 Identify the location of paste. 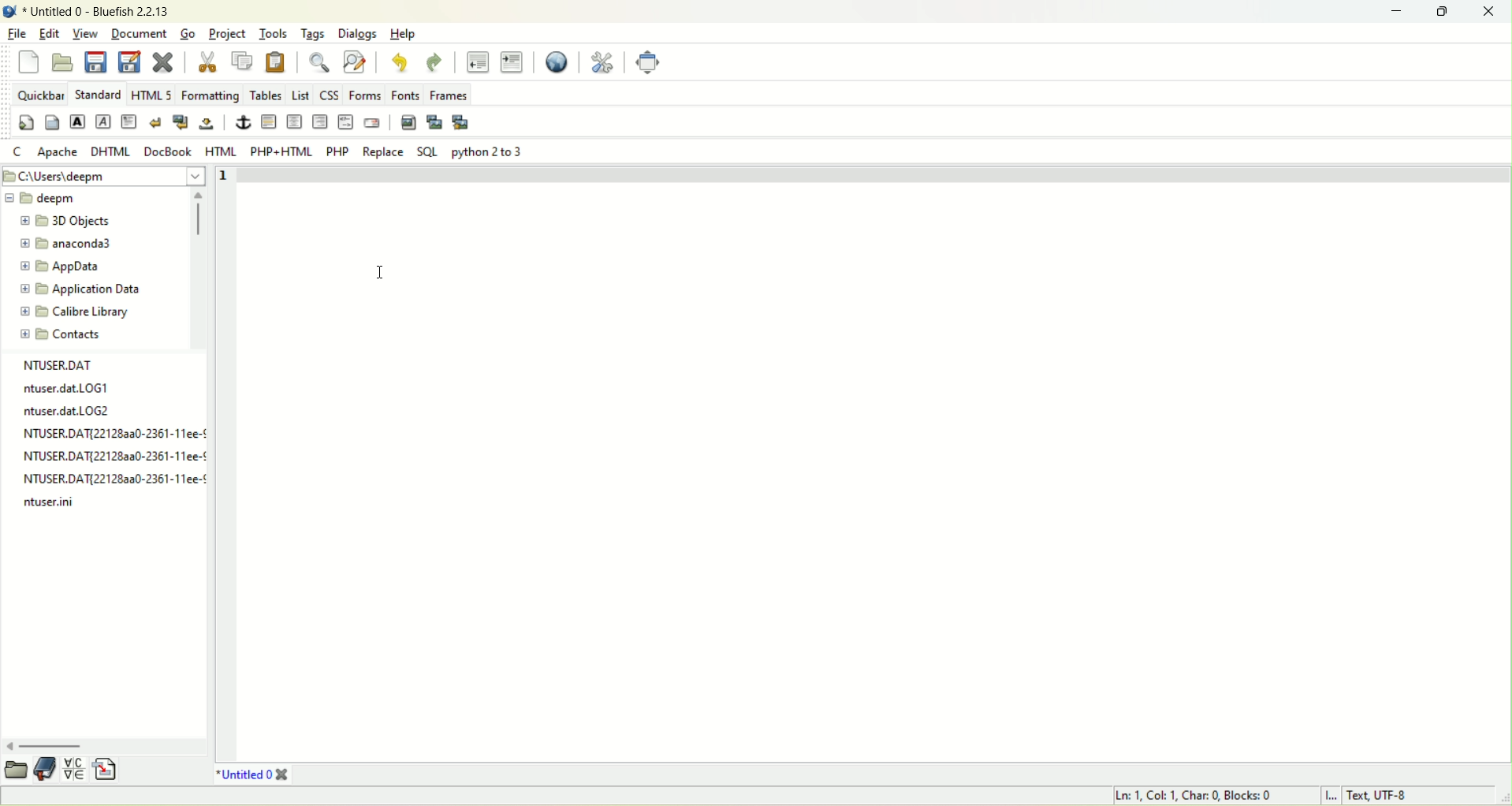
(277, 62).